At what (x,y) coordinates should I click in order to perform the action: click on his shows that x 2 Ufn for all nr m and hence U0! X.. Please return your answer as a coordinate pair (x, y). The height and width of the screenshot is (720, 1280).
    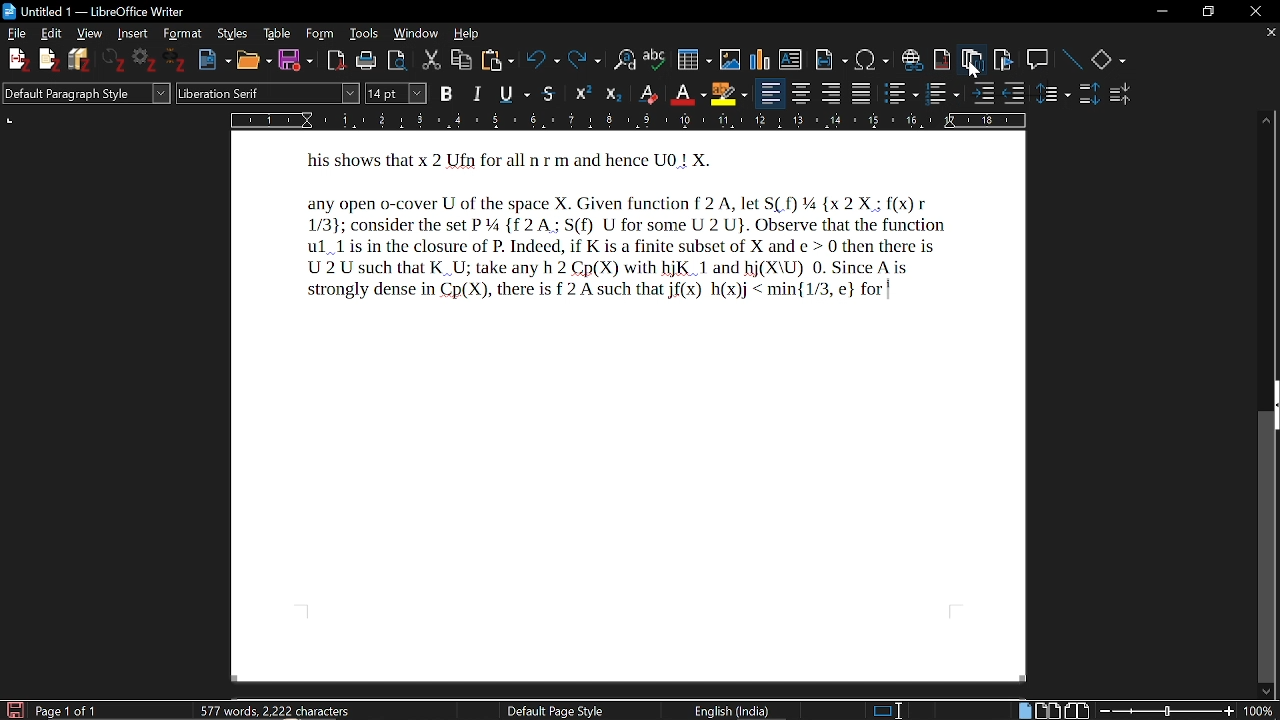
    Looking at the image, I should click on (511, 163).